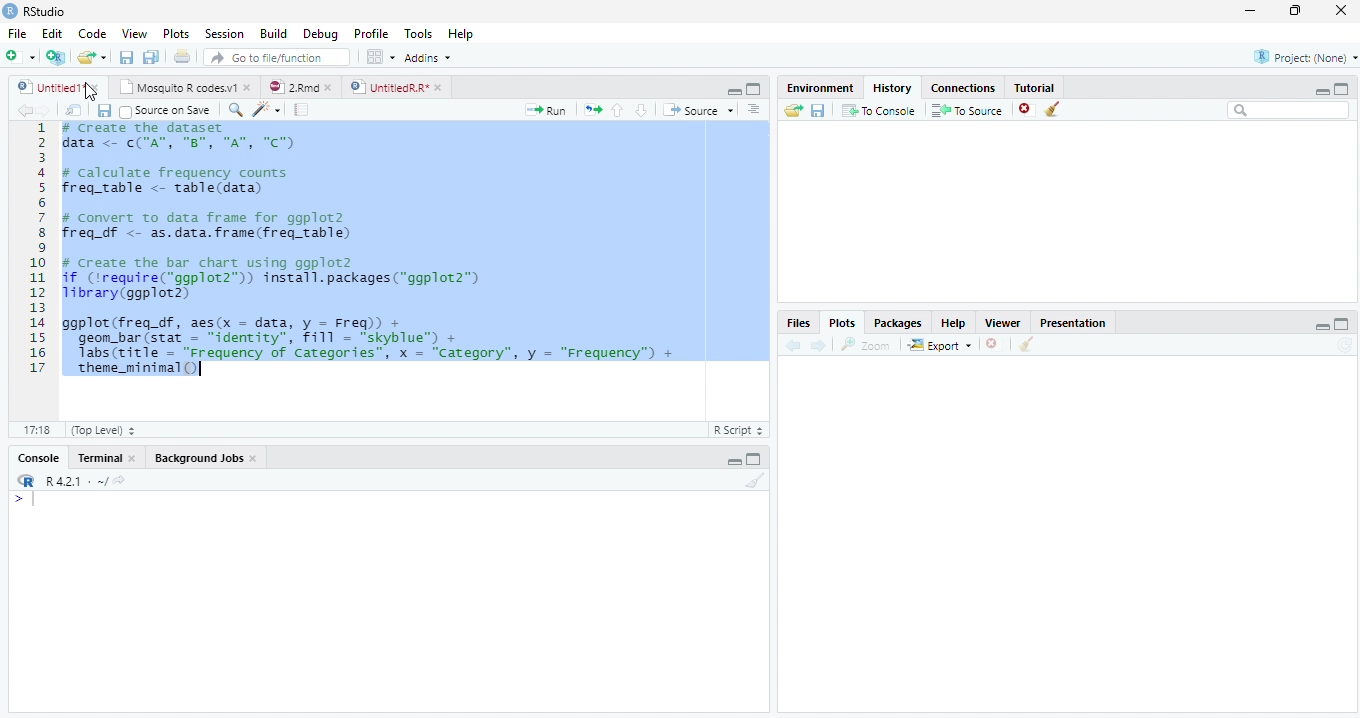 The image size is (1360, 718). I want to click on Save, so click(126, 58).